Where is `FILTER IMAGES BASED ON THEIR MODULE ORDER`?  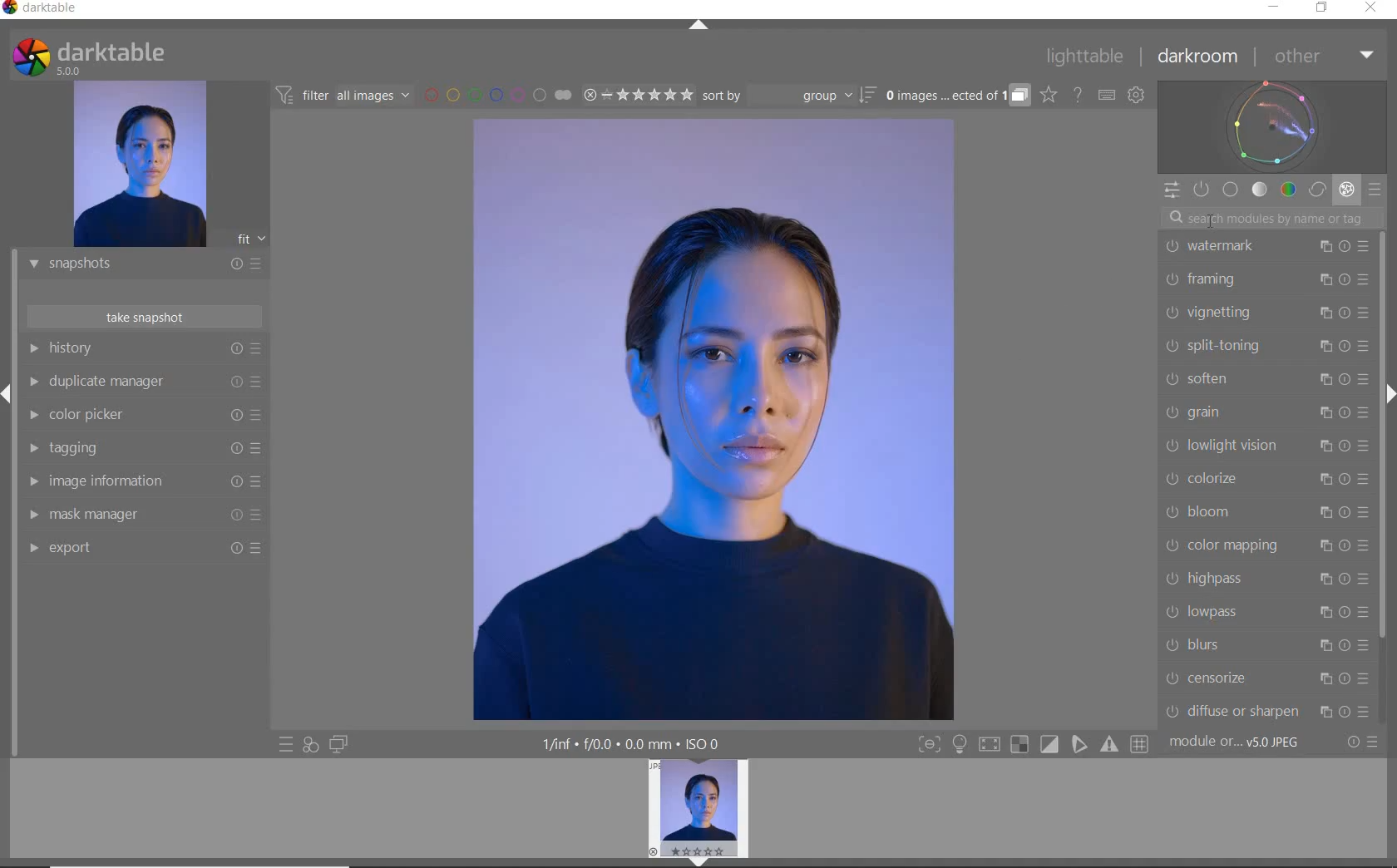
FILTER IMAGES BASED ON THEIR MODULE ORDER is located at coordinates (343, 98).